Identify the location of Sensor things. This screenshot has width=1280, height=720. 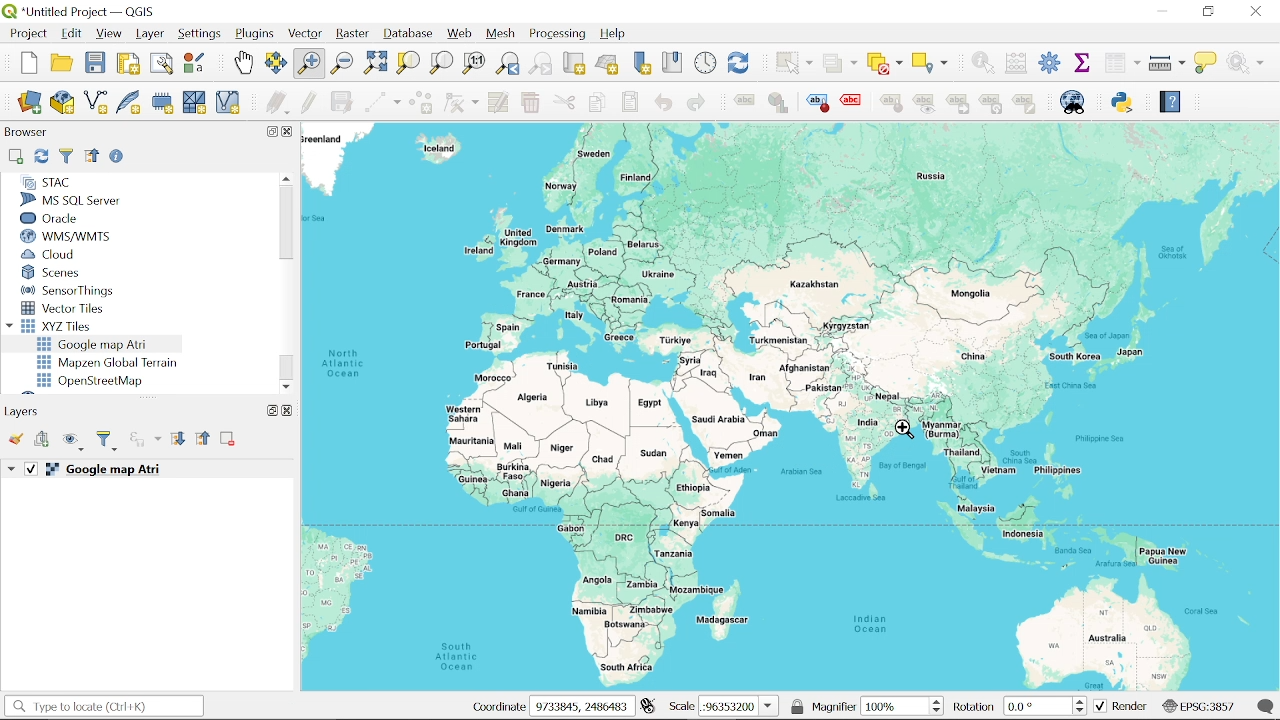
(68, 290).